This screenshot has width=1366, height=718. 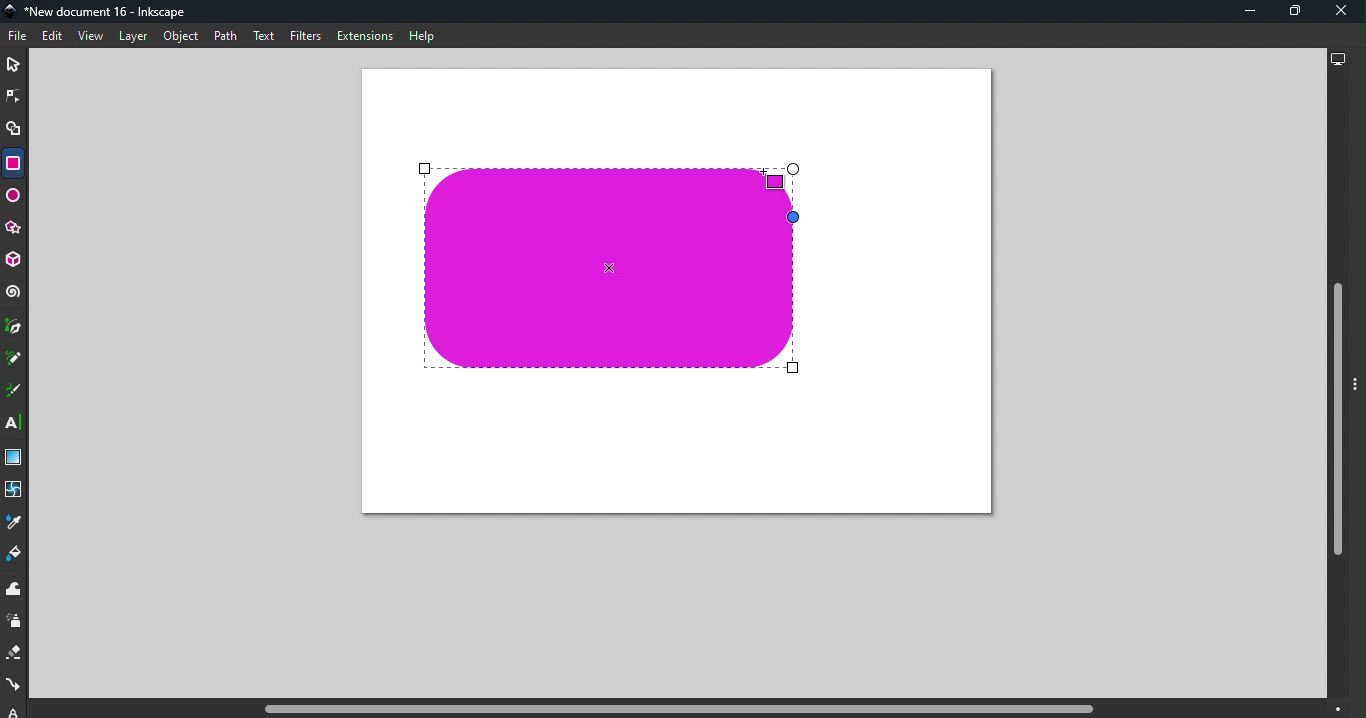 I want to click on Spray tool, so click(x=17, y=622).